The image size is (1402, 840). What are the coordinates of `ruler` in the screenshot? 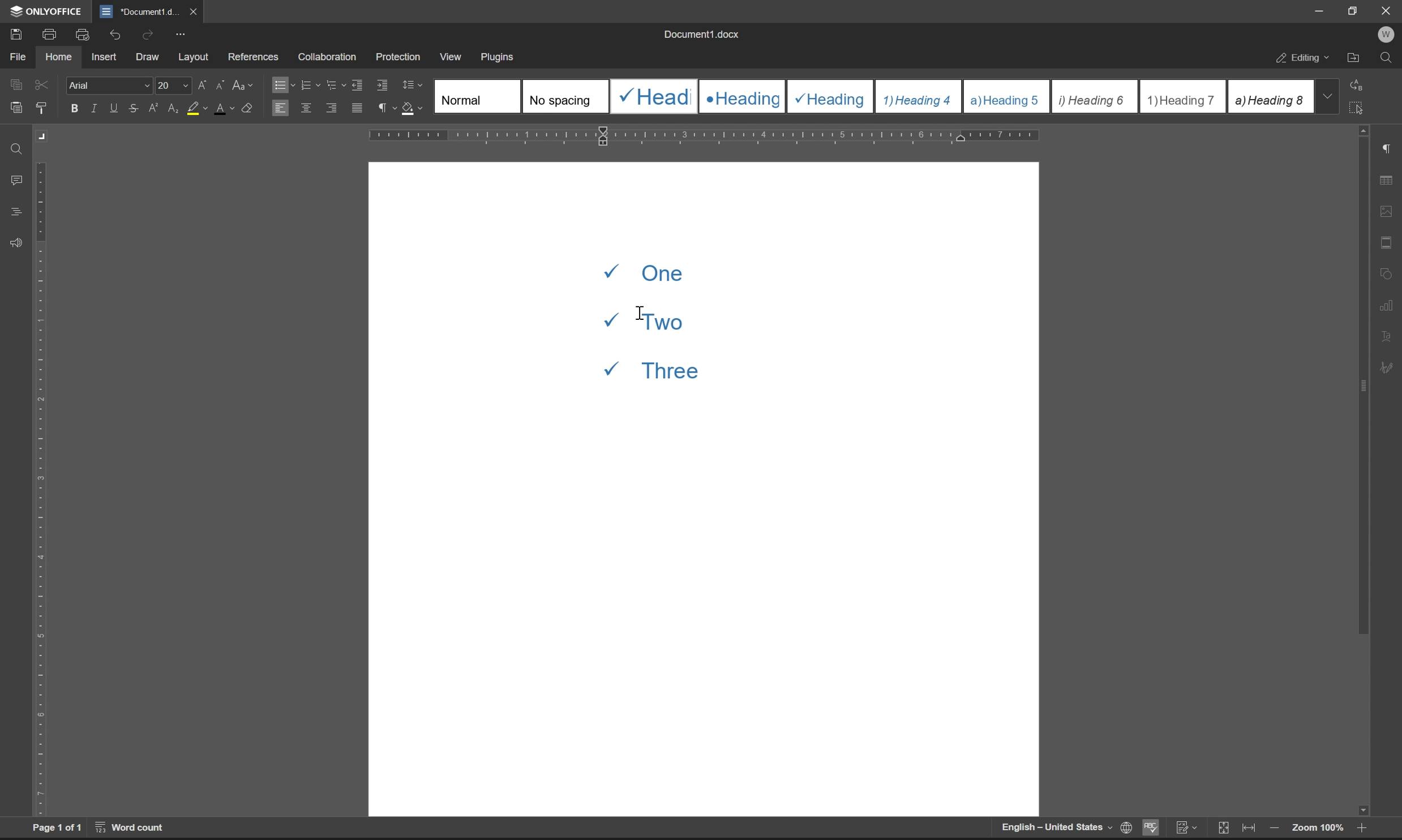 It's located at (705, 136).